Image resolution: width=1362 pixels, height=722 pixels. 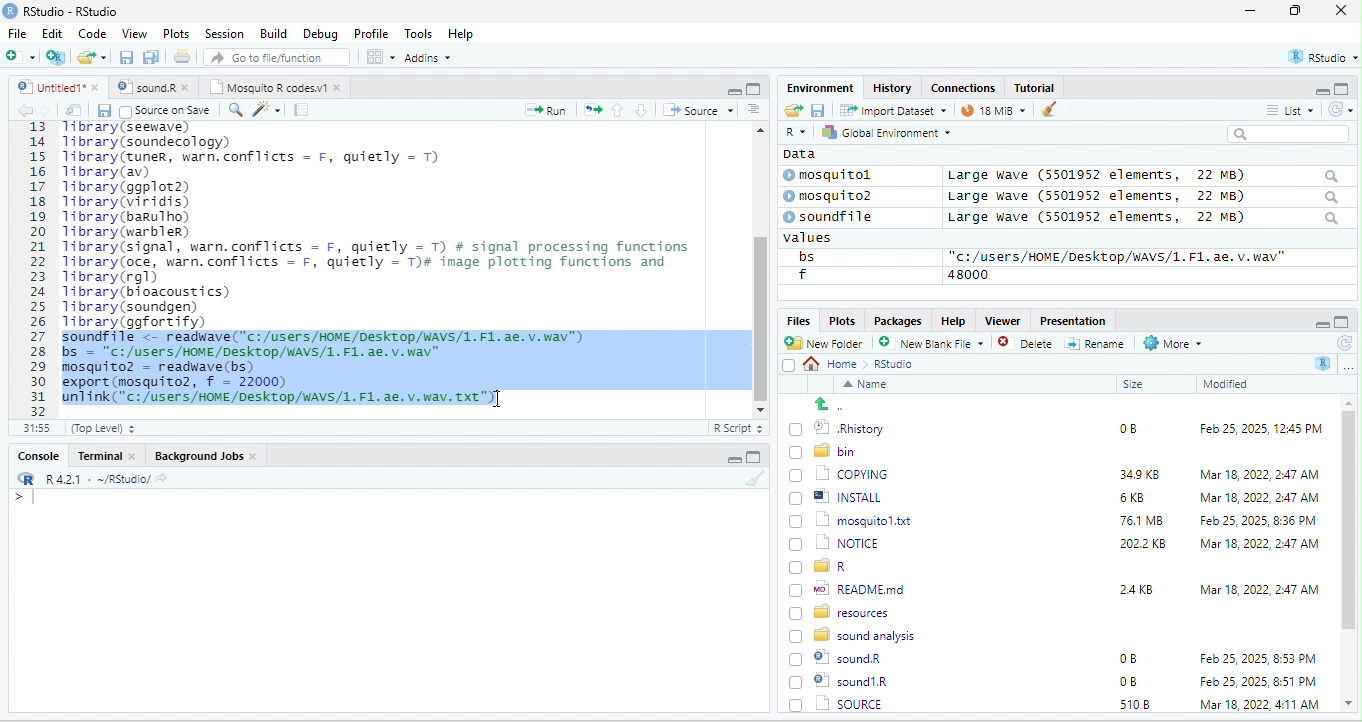 What do you see at coordinates (792, 111) in the screenshot?
I see `open` at bounding box center [792, 111].